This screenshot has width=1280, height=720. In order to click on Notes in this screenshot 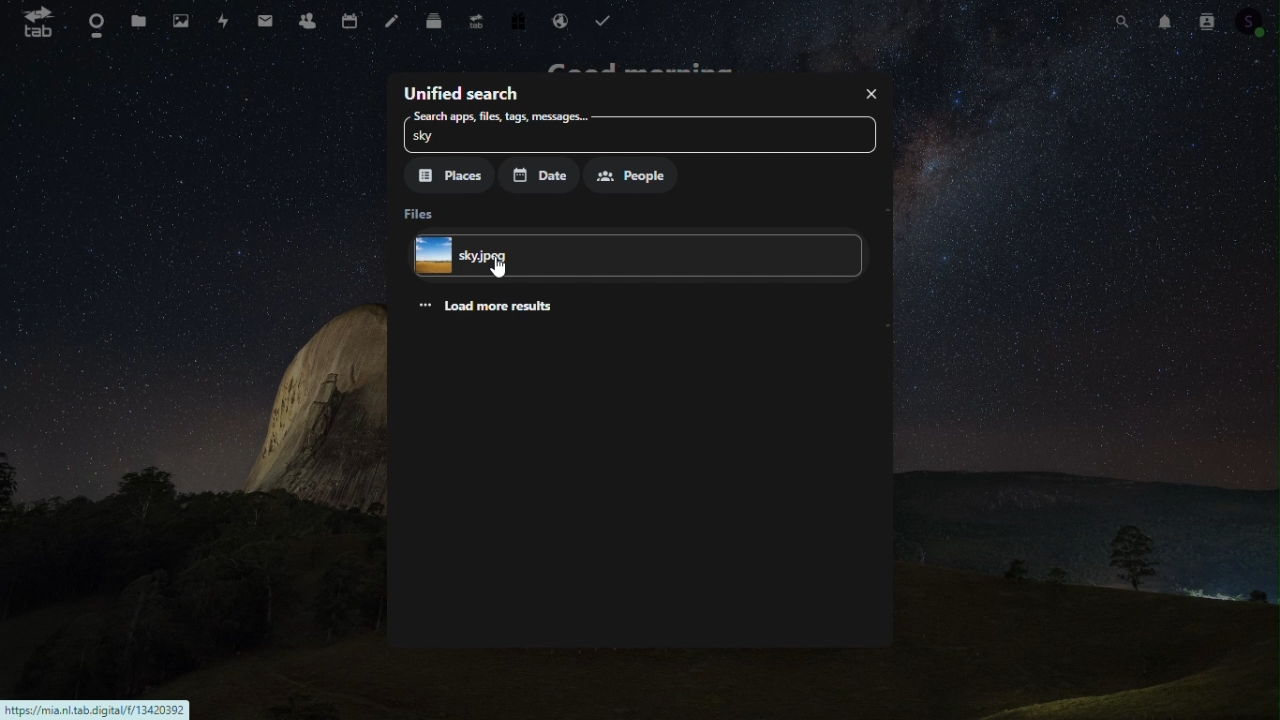, I will do `click(392, 19)`.